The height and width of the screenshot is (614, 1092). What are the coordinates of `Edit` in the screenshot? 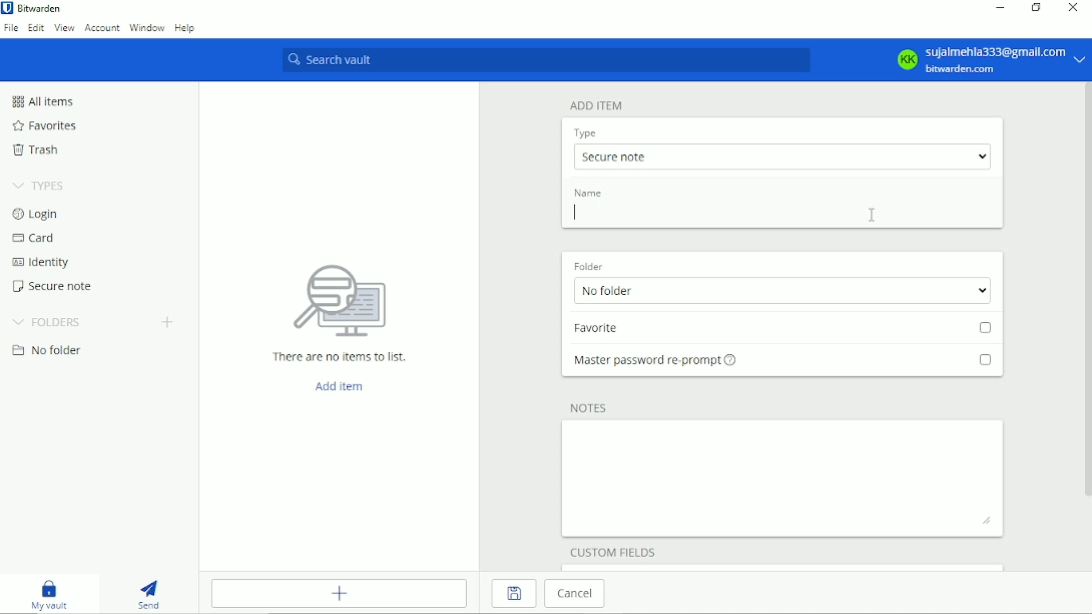 It's located at (37, 28).